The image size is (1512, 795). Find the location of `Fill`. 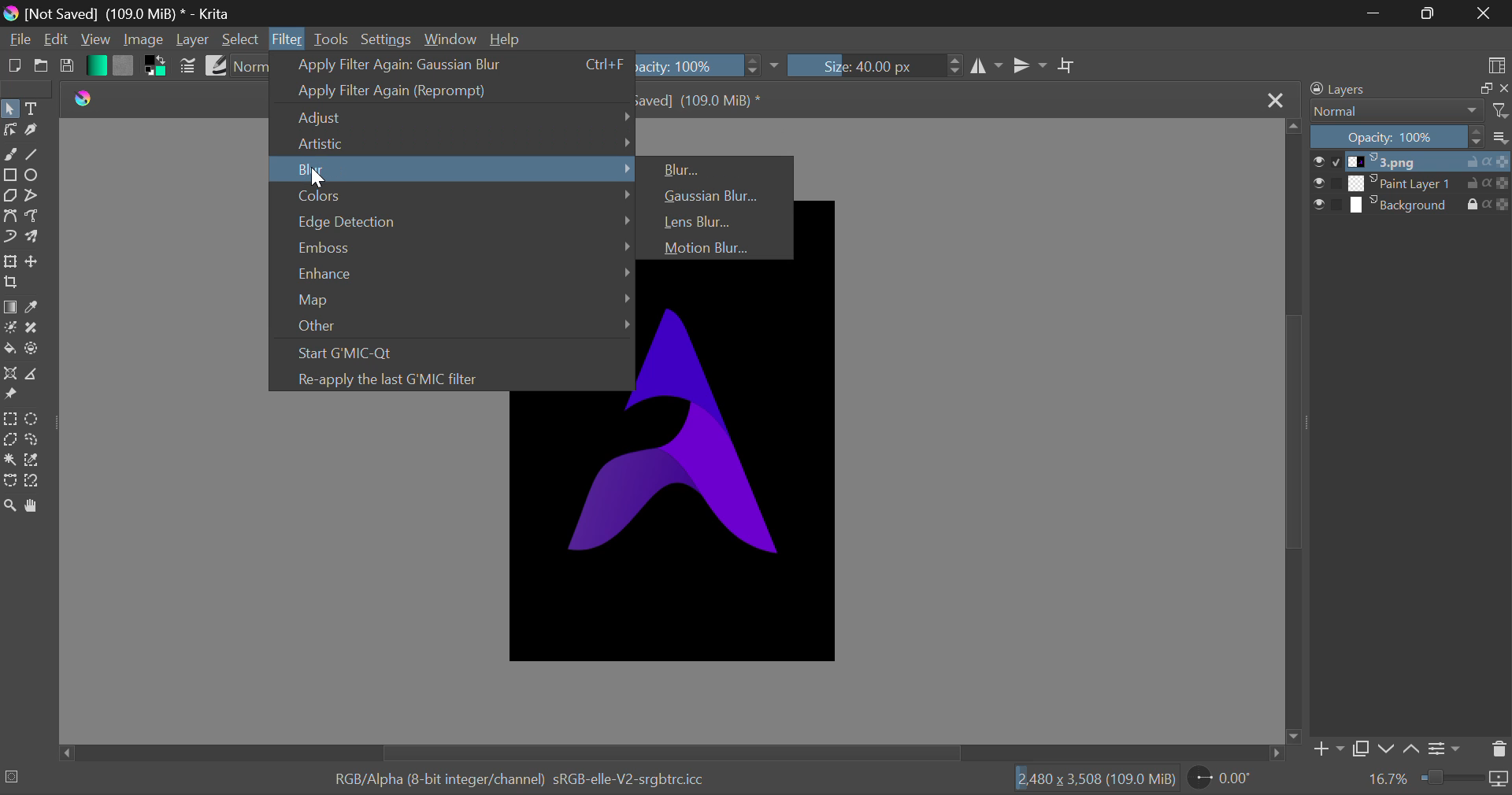

Fill is located at coordinates (9, 348).